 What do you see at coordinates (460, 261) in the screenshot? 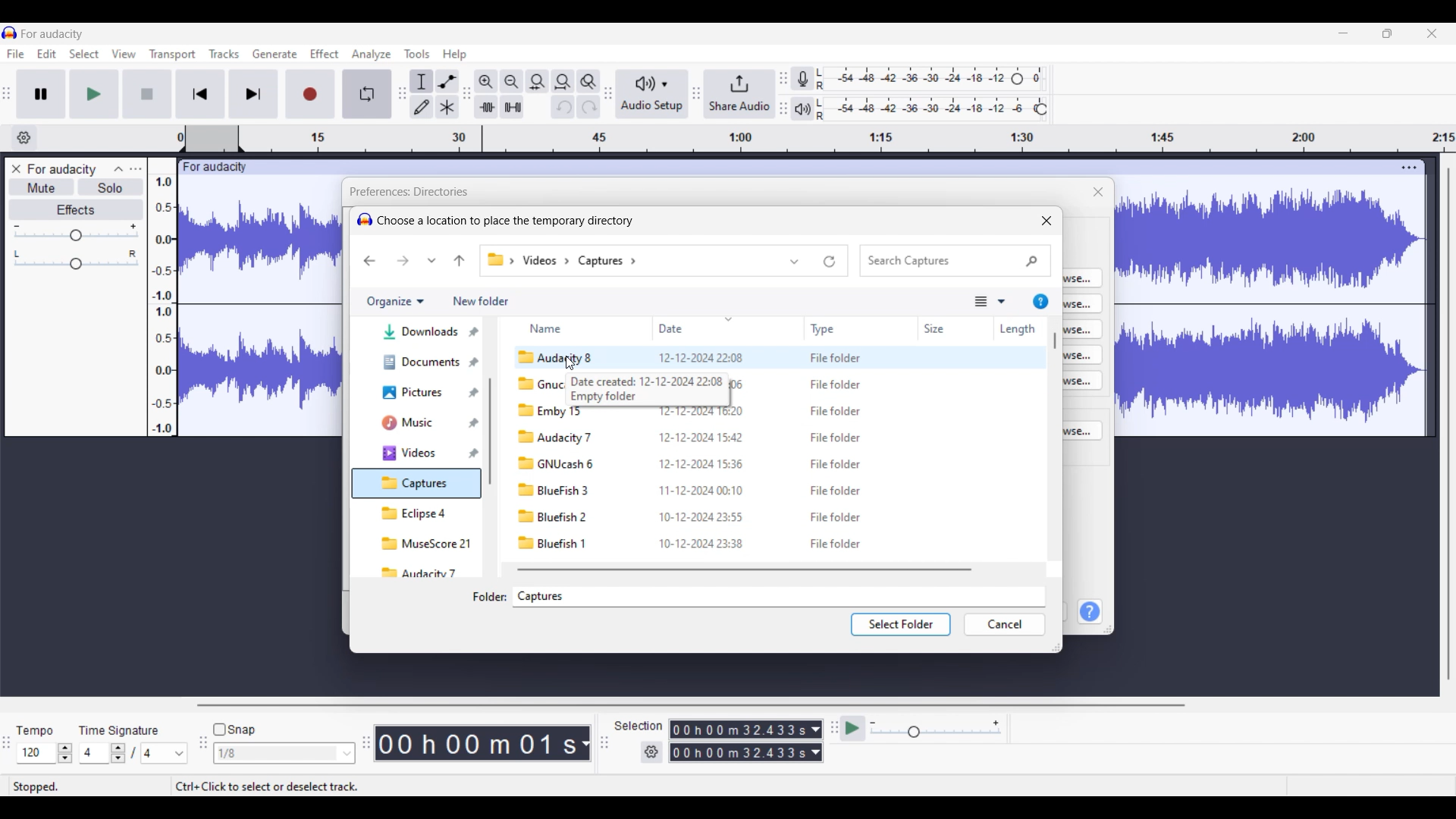
I see `Move to previous folder in pathway` at bounding box center [460, 261].